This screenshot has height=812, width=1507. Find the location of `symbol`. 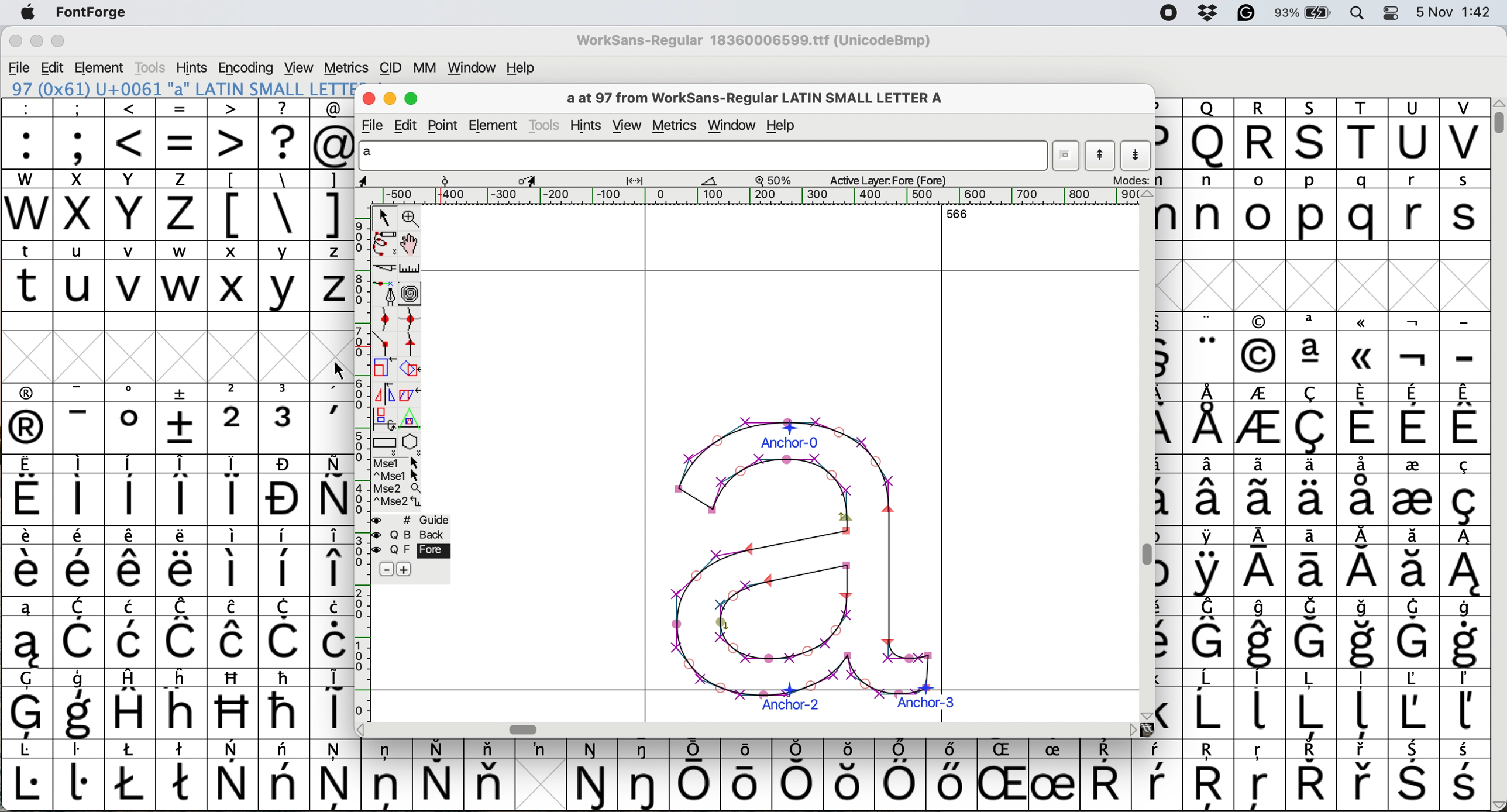

symbol is located at coordinates (1463, 704).